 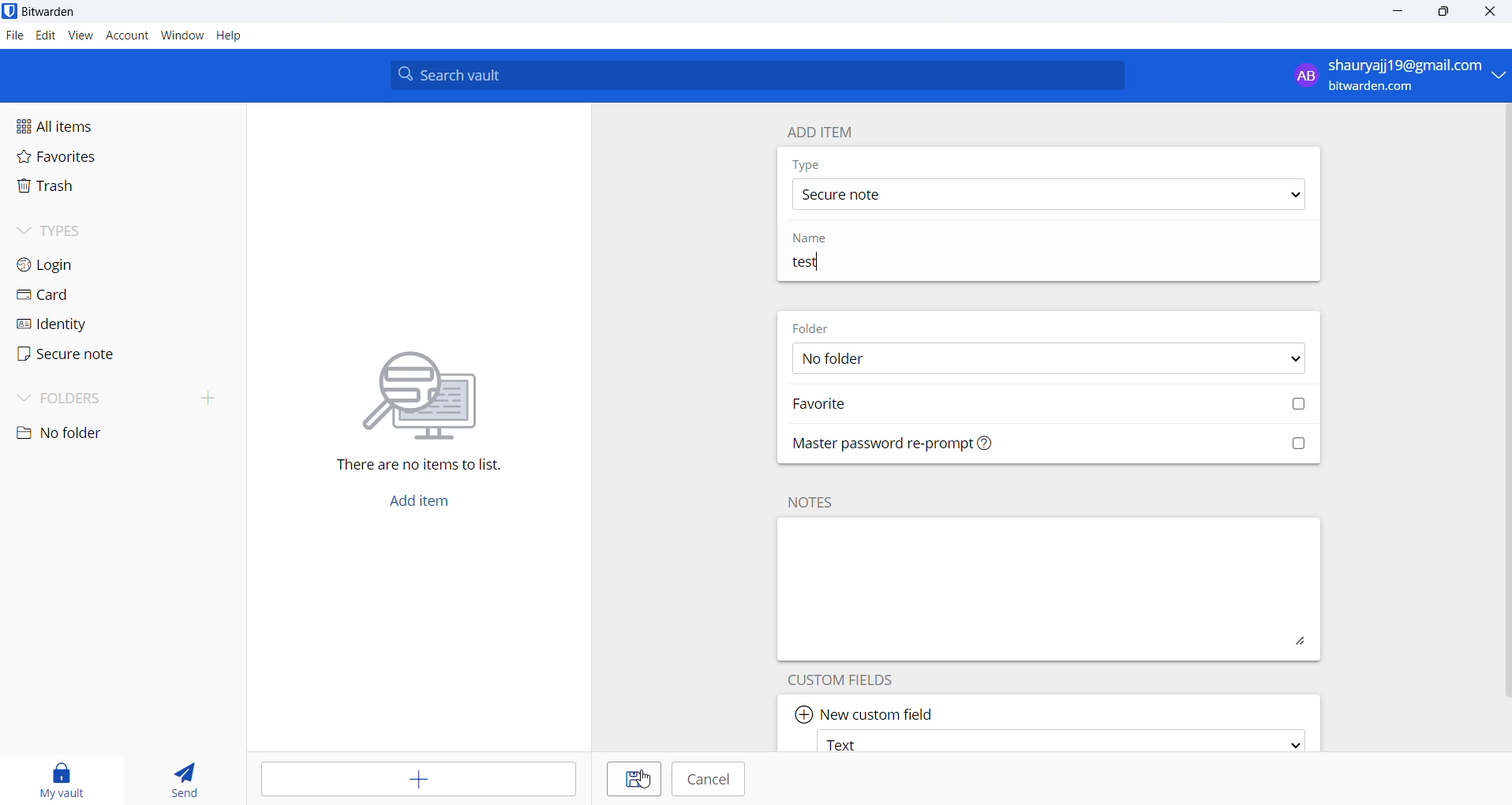 I want to click on secure note , so click(x=1046, y=194).